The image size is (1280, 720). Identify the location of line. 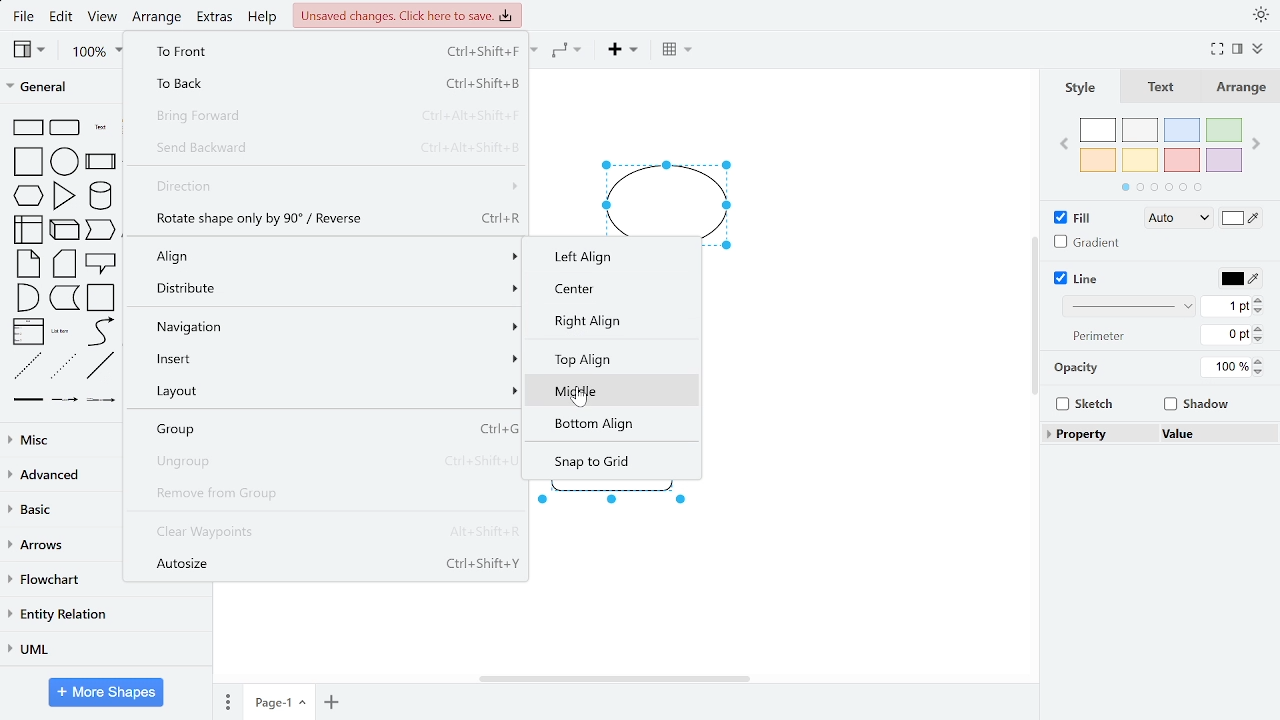
(101, 366).